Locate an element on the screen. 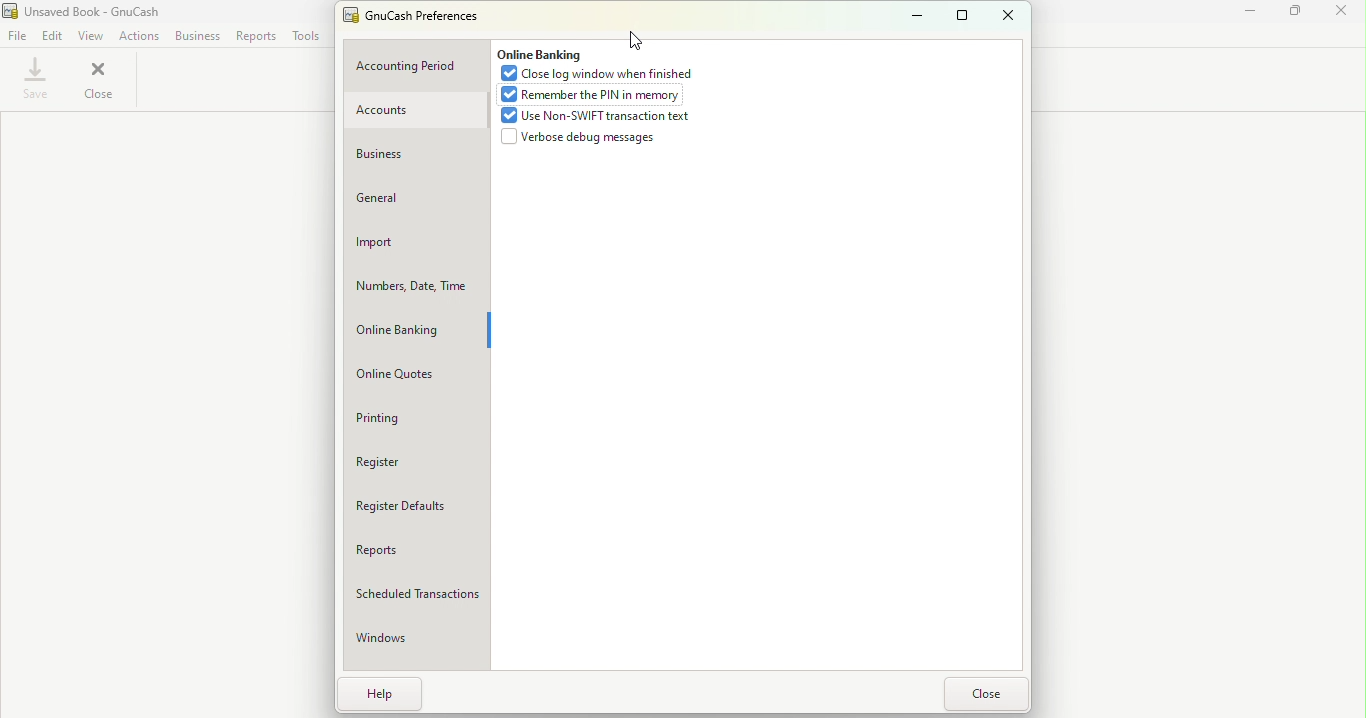 Image resolution: width=1366 pixels, height=718 pixels. minimize is located at coordinates (913, 13).